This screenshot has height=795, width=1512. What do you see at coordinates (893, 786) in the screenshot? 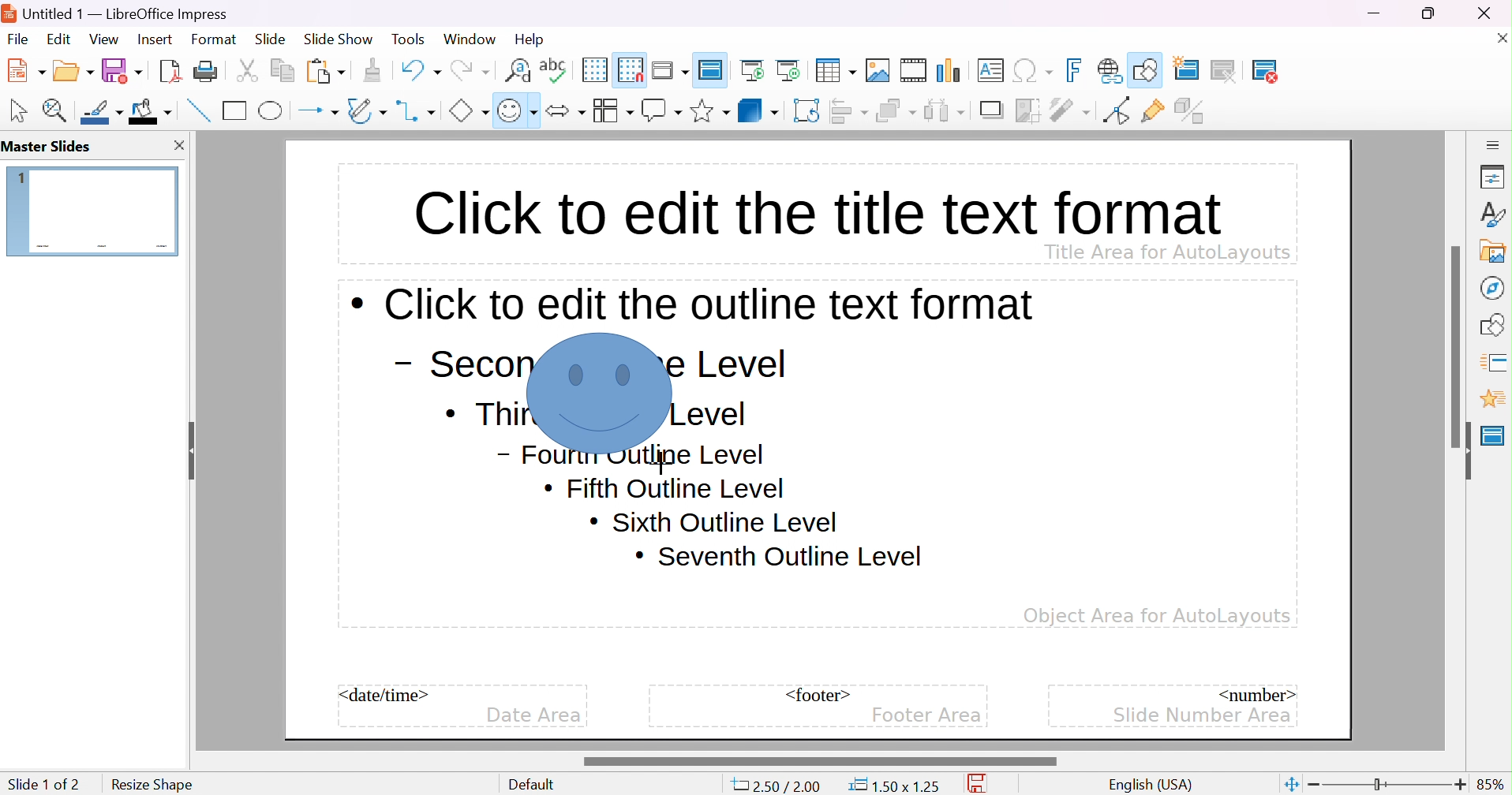
I see `0.00*0.00` at bounding box center [893, 786].